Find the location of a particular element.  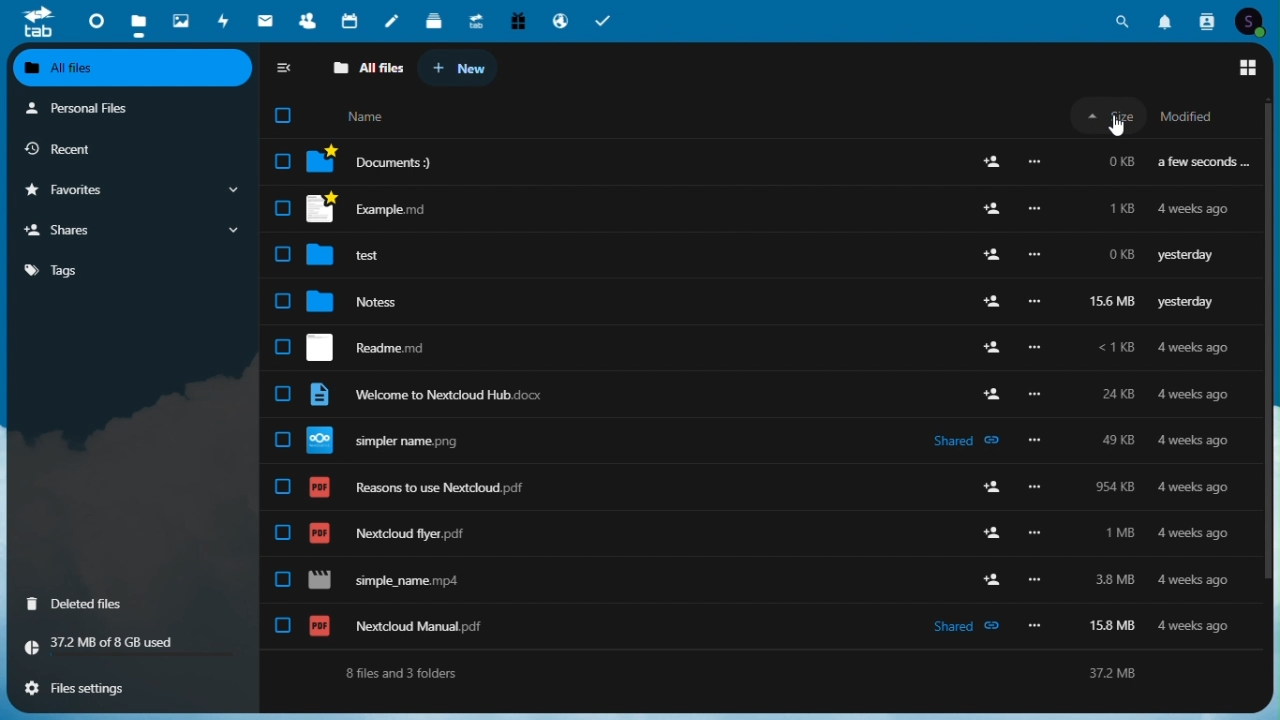

search is located at coordinates (1123, 20).